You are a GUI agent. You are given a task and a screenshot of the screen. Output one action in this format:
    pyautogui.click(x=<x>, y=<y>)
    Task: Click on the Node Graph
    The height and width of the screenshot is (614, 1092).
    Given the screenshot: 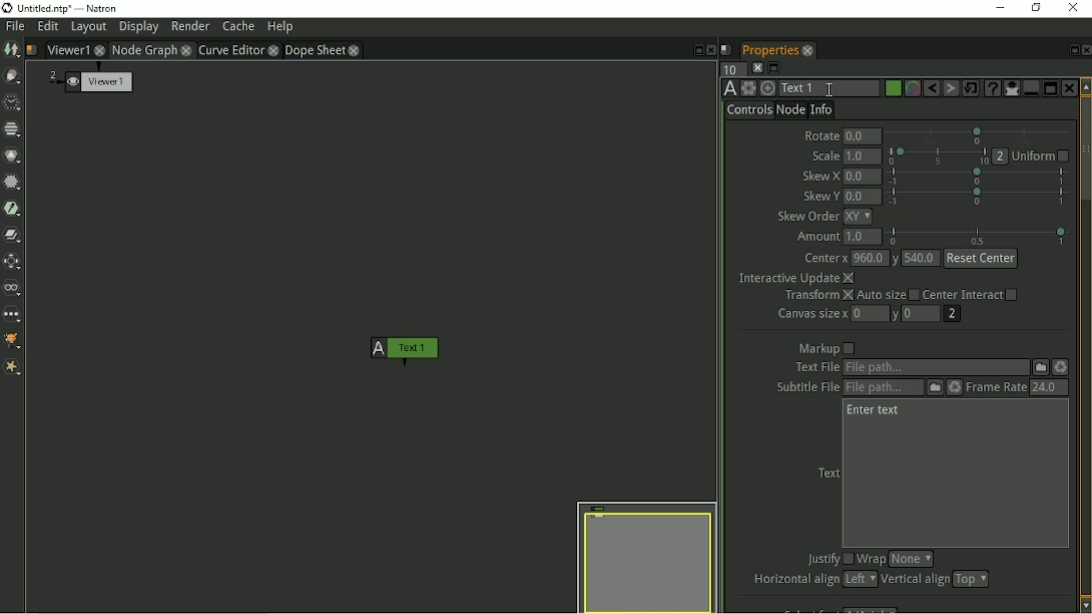 What is the action you would take?
    pyautogui.click(x=144, y=50)
    